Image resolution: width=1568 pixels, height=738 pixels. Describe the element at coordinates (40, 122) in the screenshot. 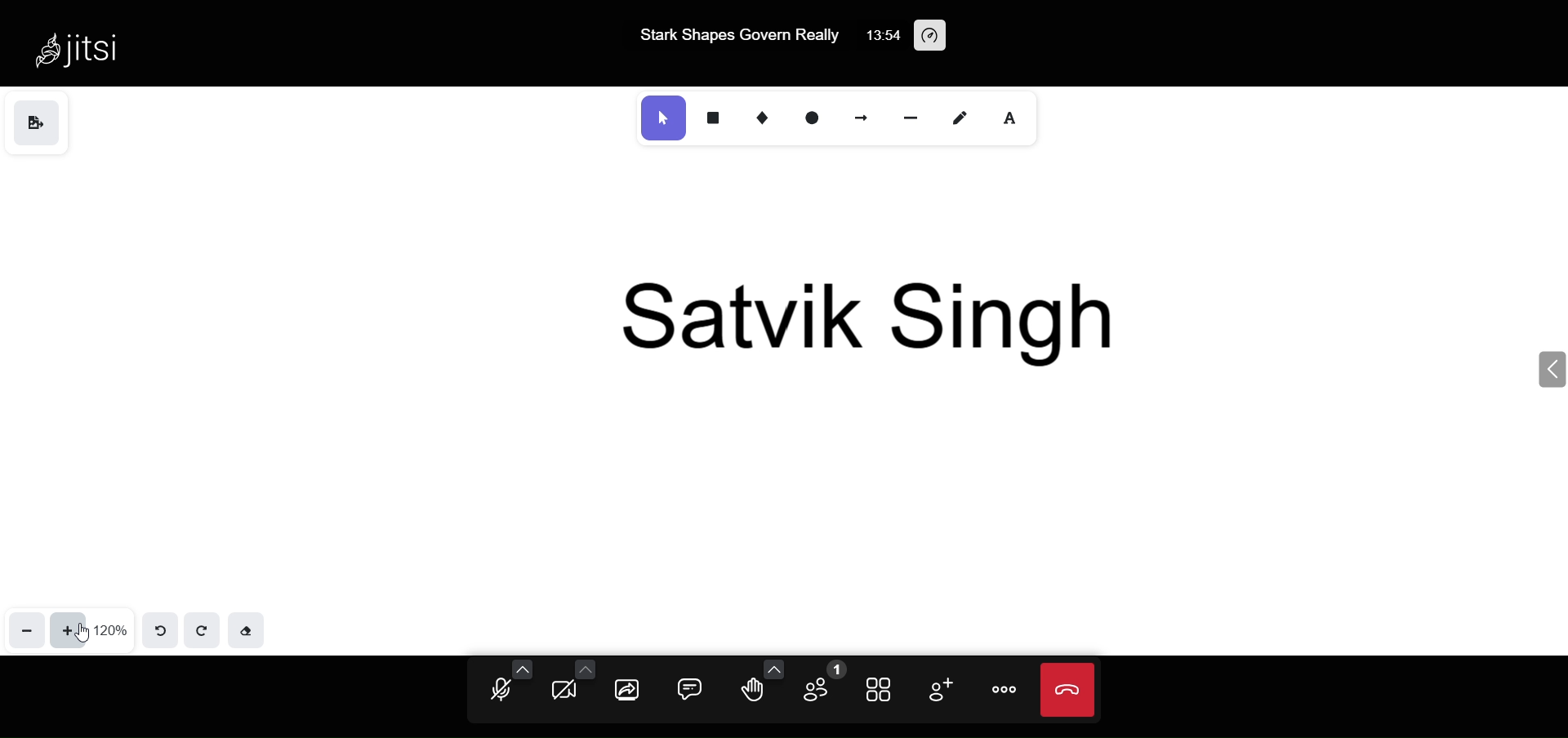

I see `save as image` at that location.